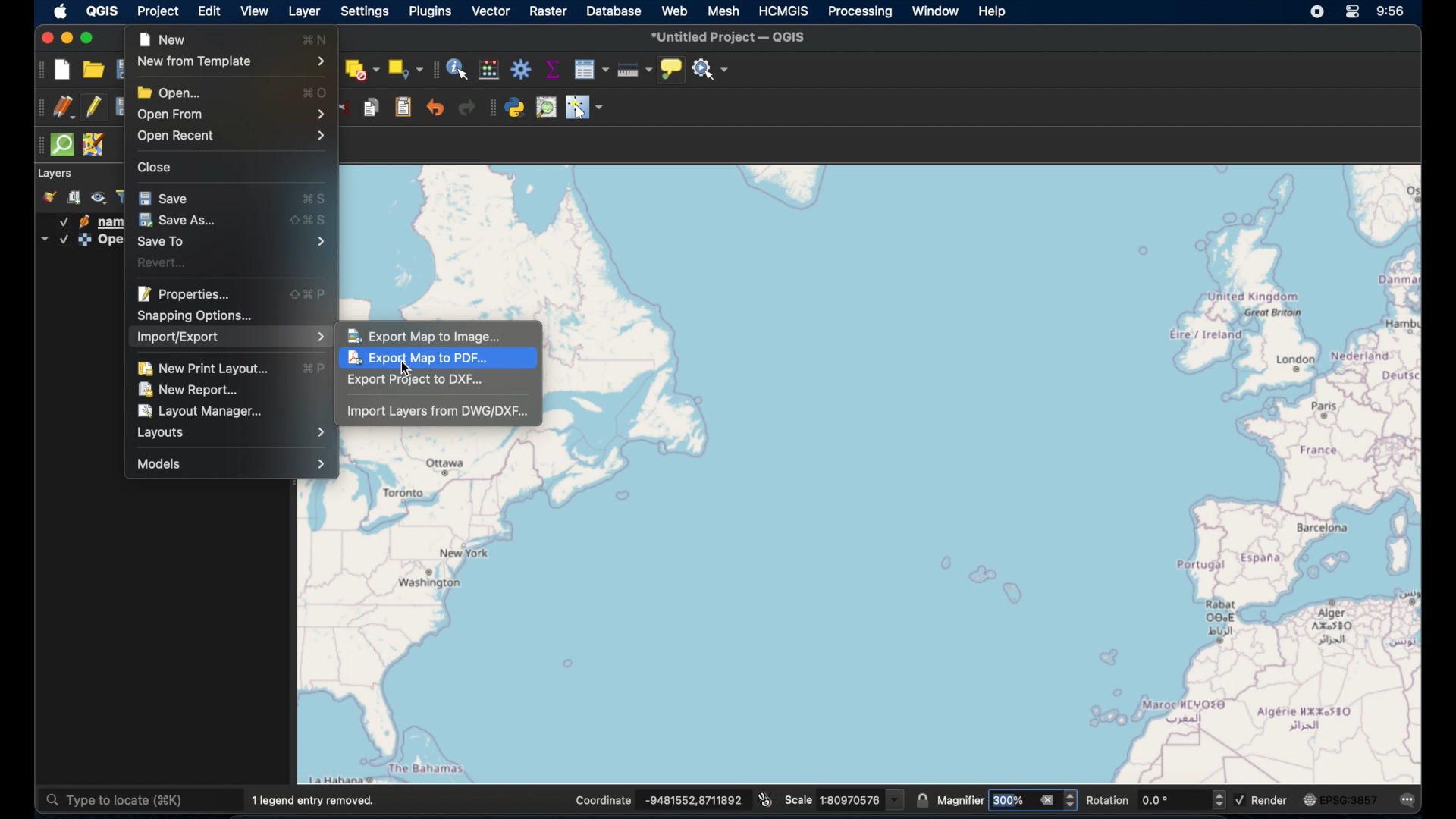 The image size is (1456, 819). What do you see at coordinates (861, 13) in the screenshot?
I see `processing` at bounding box center [861, 13].